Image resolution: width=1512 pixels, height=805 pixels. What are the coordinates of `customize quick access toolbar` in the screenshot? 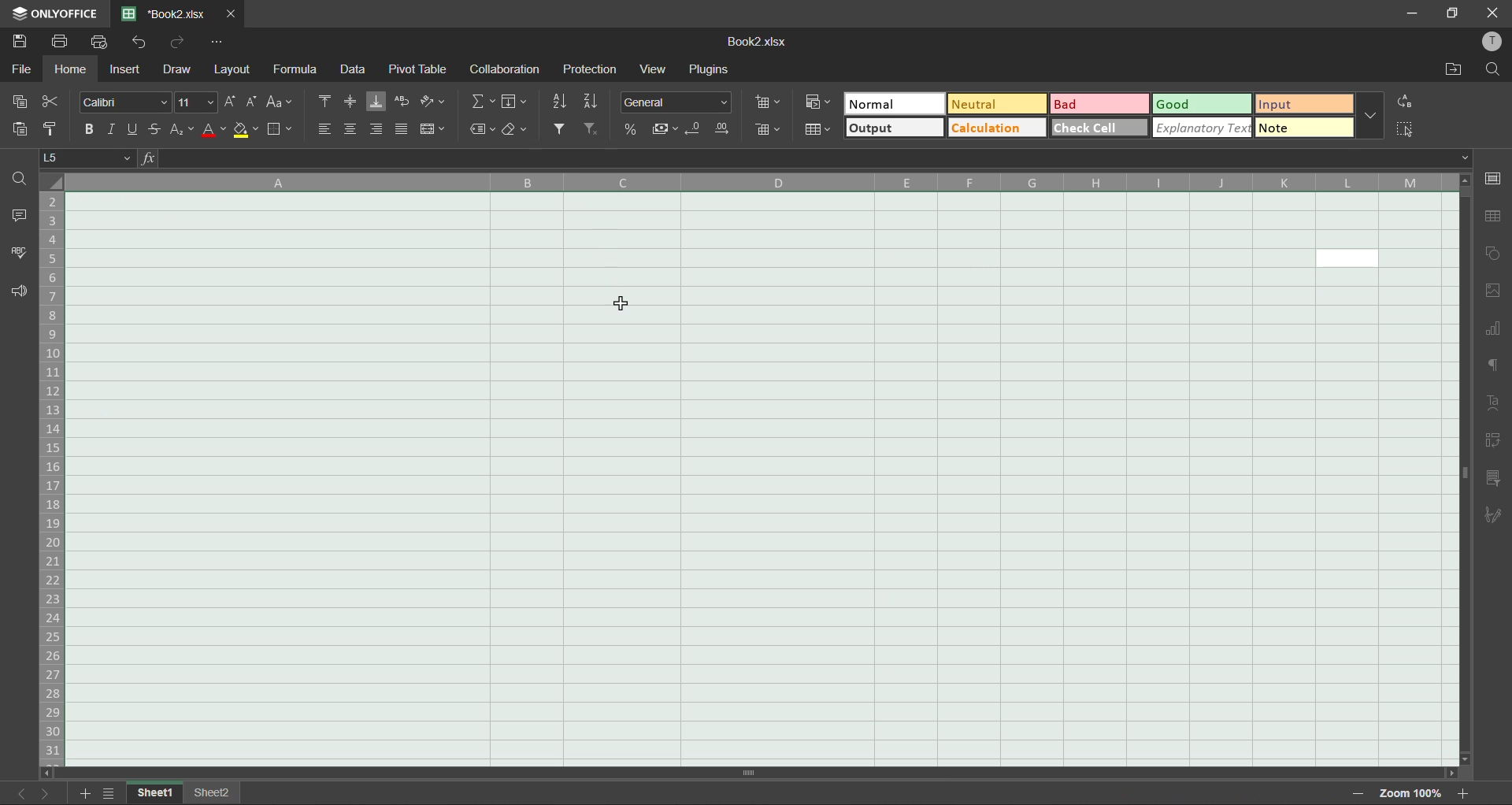 It's located at (219, 43).